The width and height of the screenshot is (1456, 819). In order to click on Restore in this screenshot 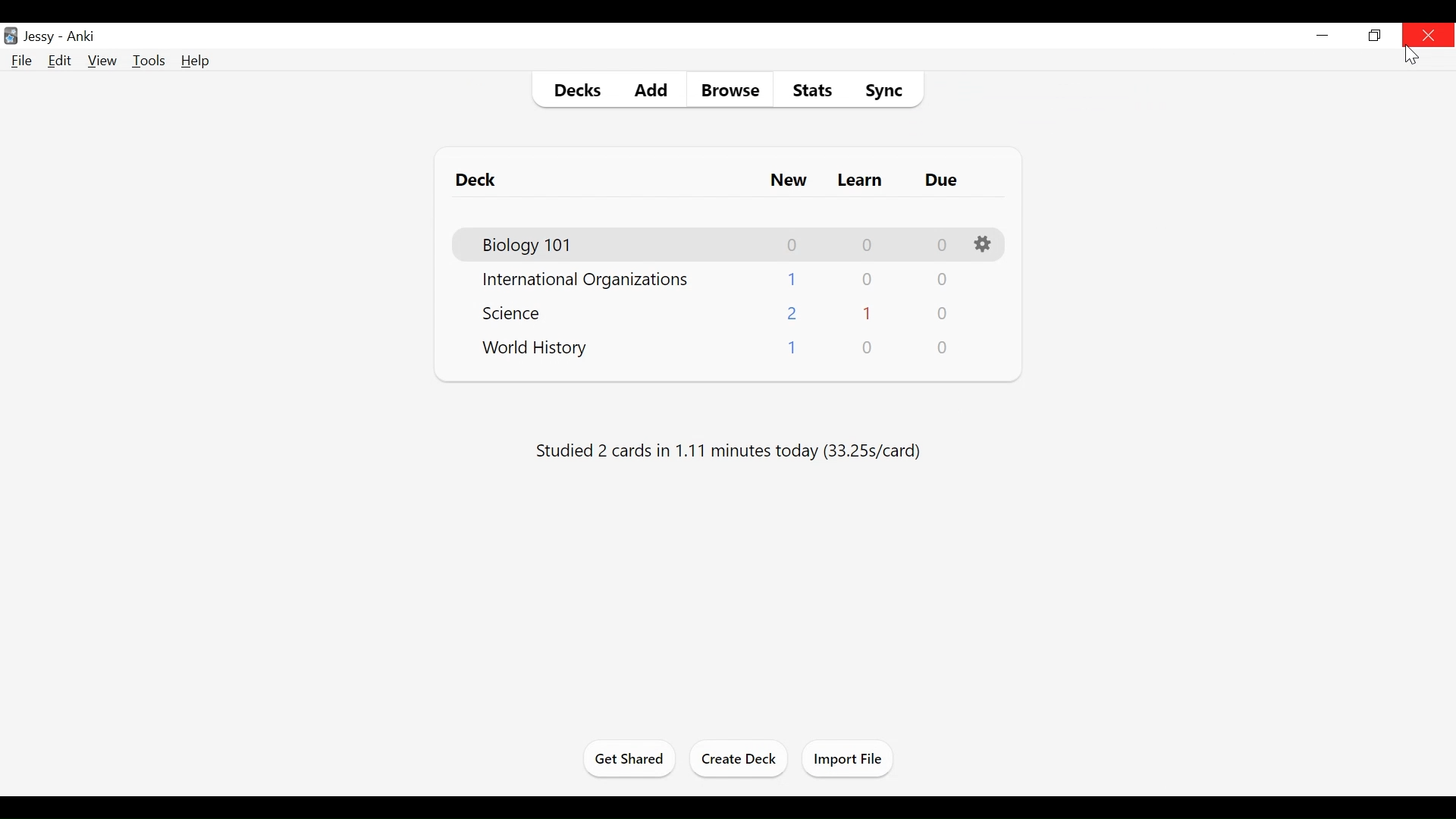, I will do `click(1375, 36)`.